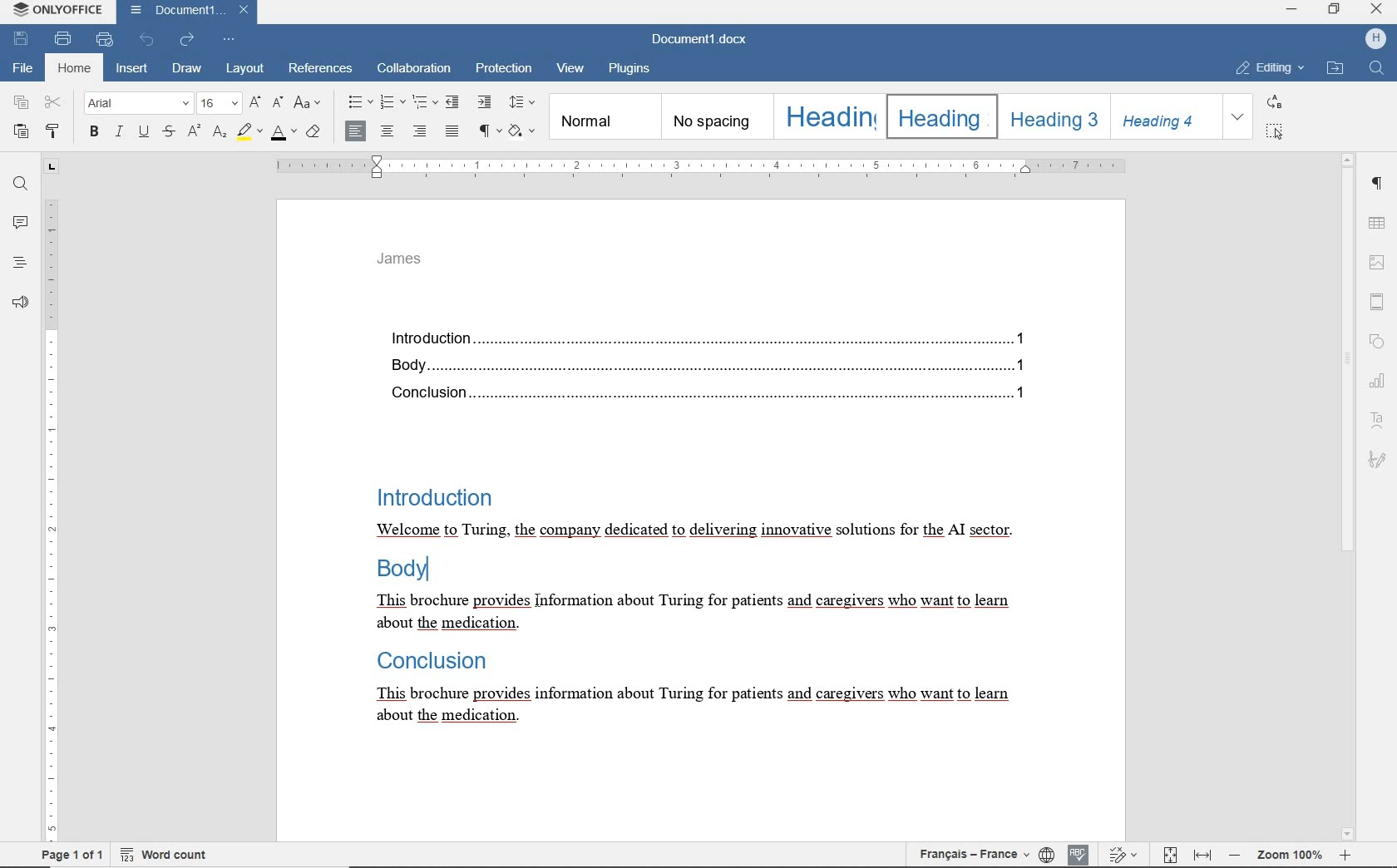  I want to click on MINIMIZE, so click(1292, 8).